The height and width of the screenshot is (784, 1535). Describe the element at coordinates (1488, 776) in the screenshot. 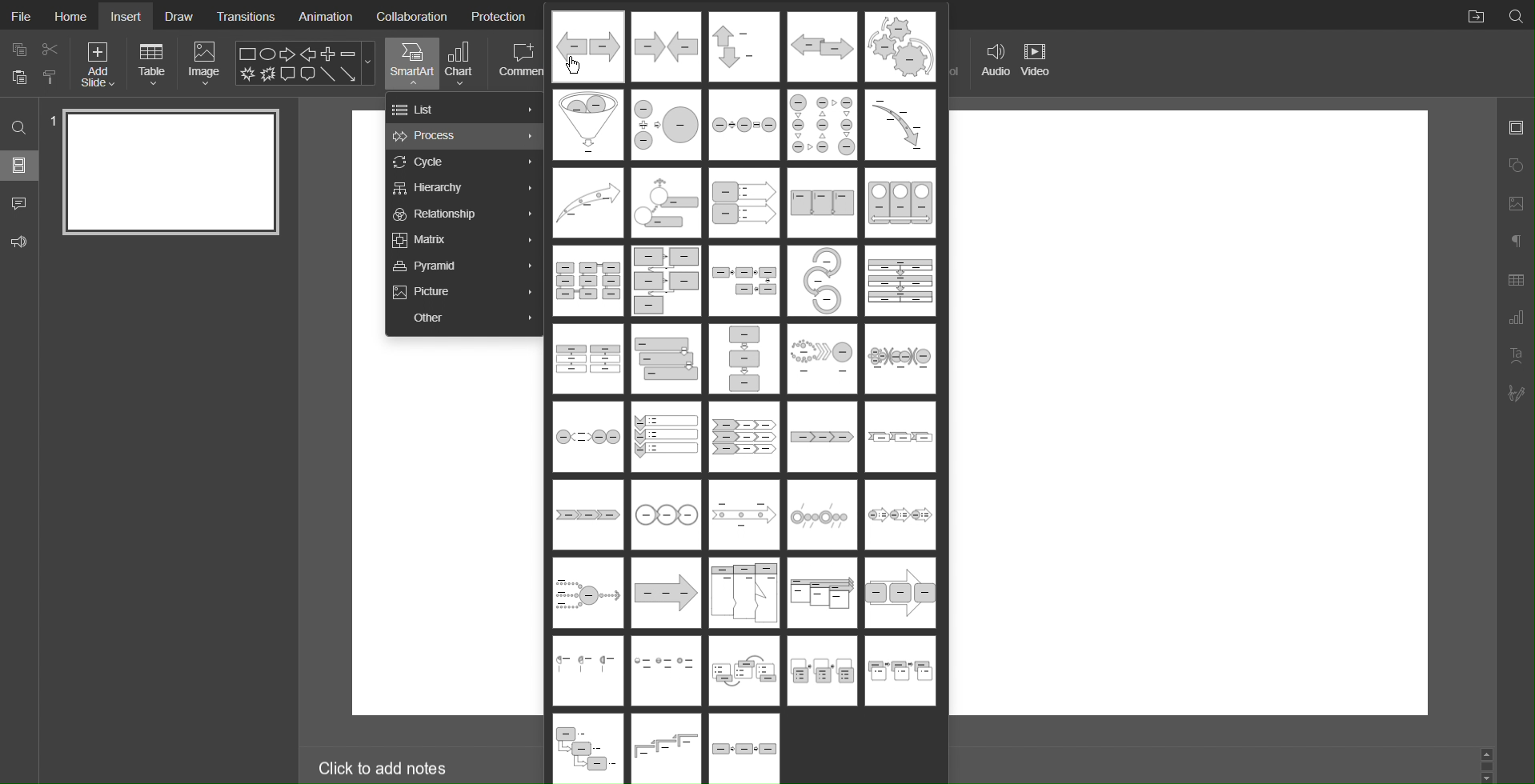

I see `down` at that location.